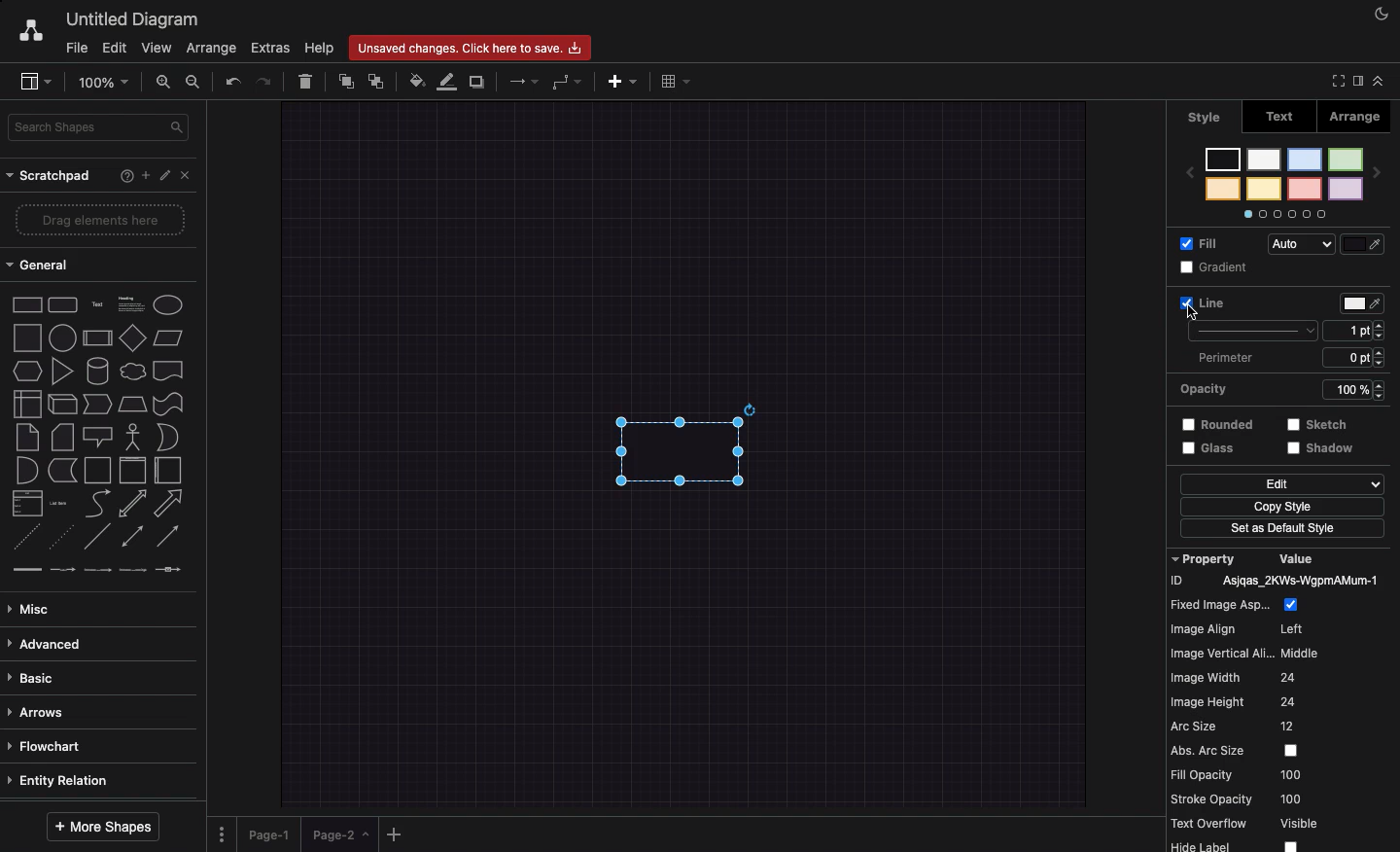  What do you see at coordinates (569, 83) in the screenshot?
I see `Waypoints` at bounding box center [569, 83].